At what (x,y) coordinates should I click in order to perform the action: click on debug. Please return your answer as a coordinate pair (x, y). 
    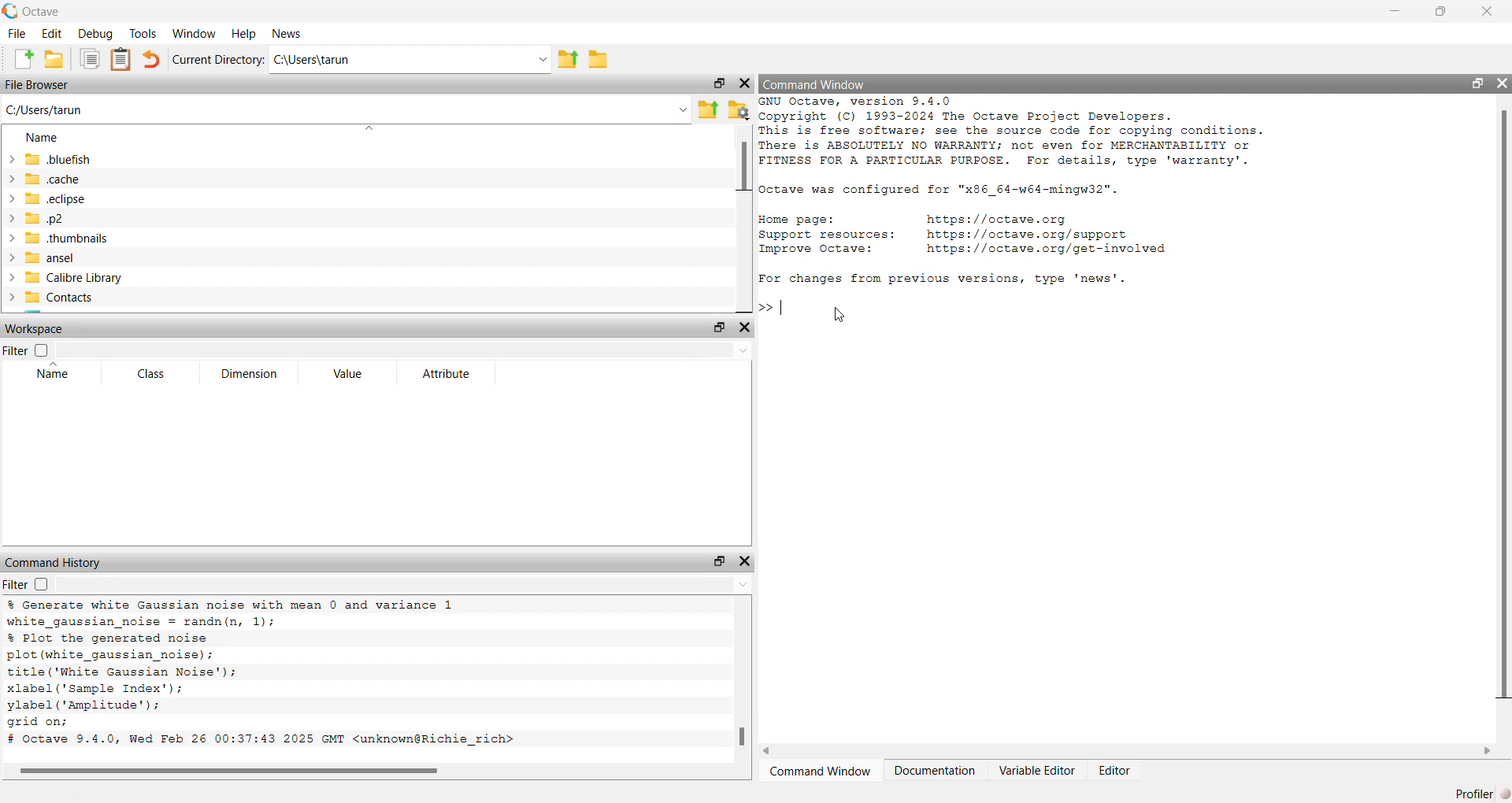
    Looking at the image, I should click on (96, 34).